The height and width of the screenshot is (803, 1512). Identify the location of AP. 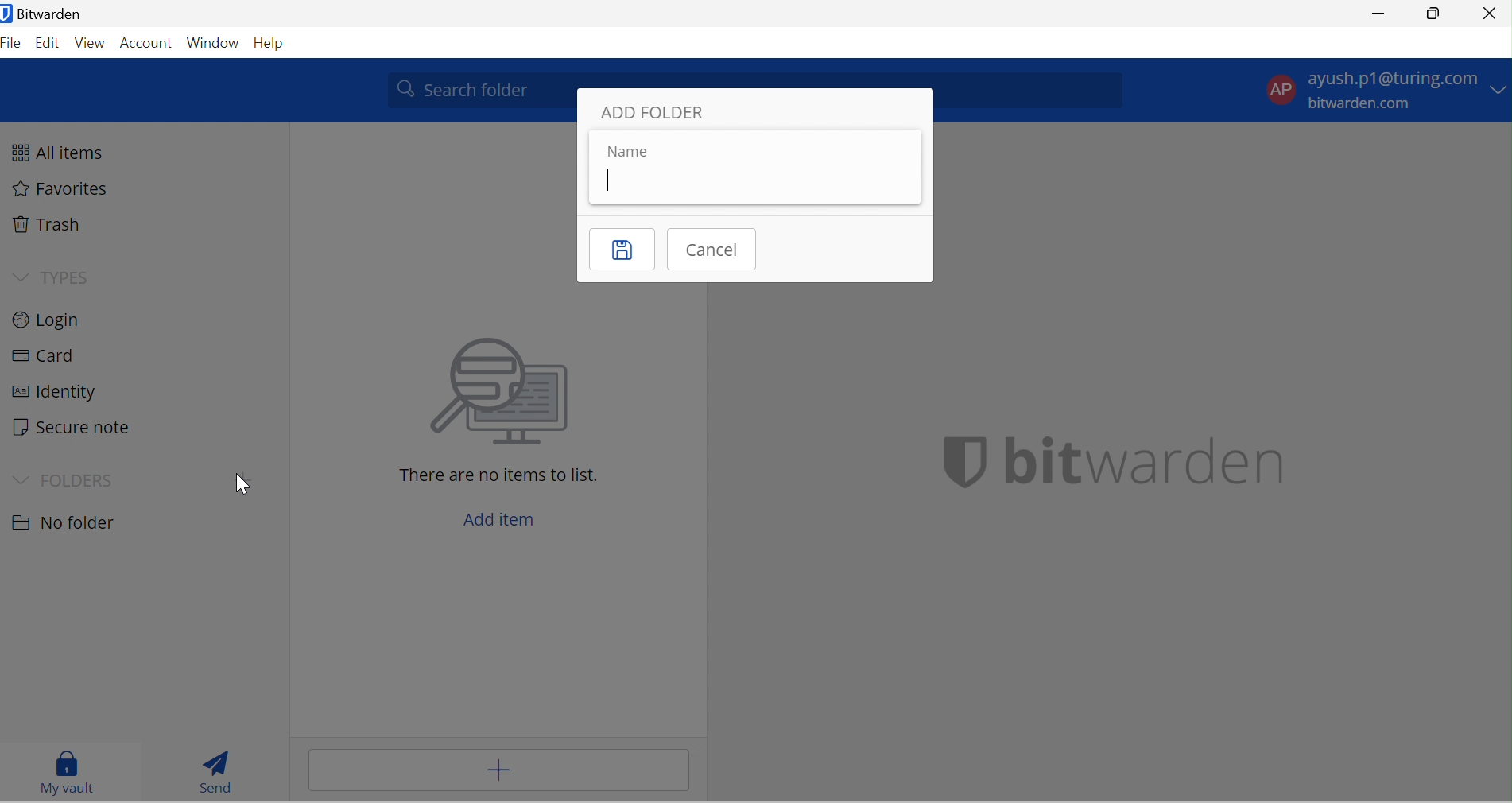
(1276, 87).